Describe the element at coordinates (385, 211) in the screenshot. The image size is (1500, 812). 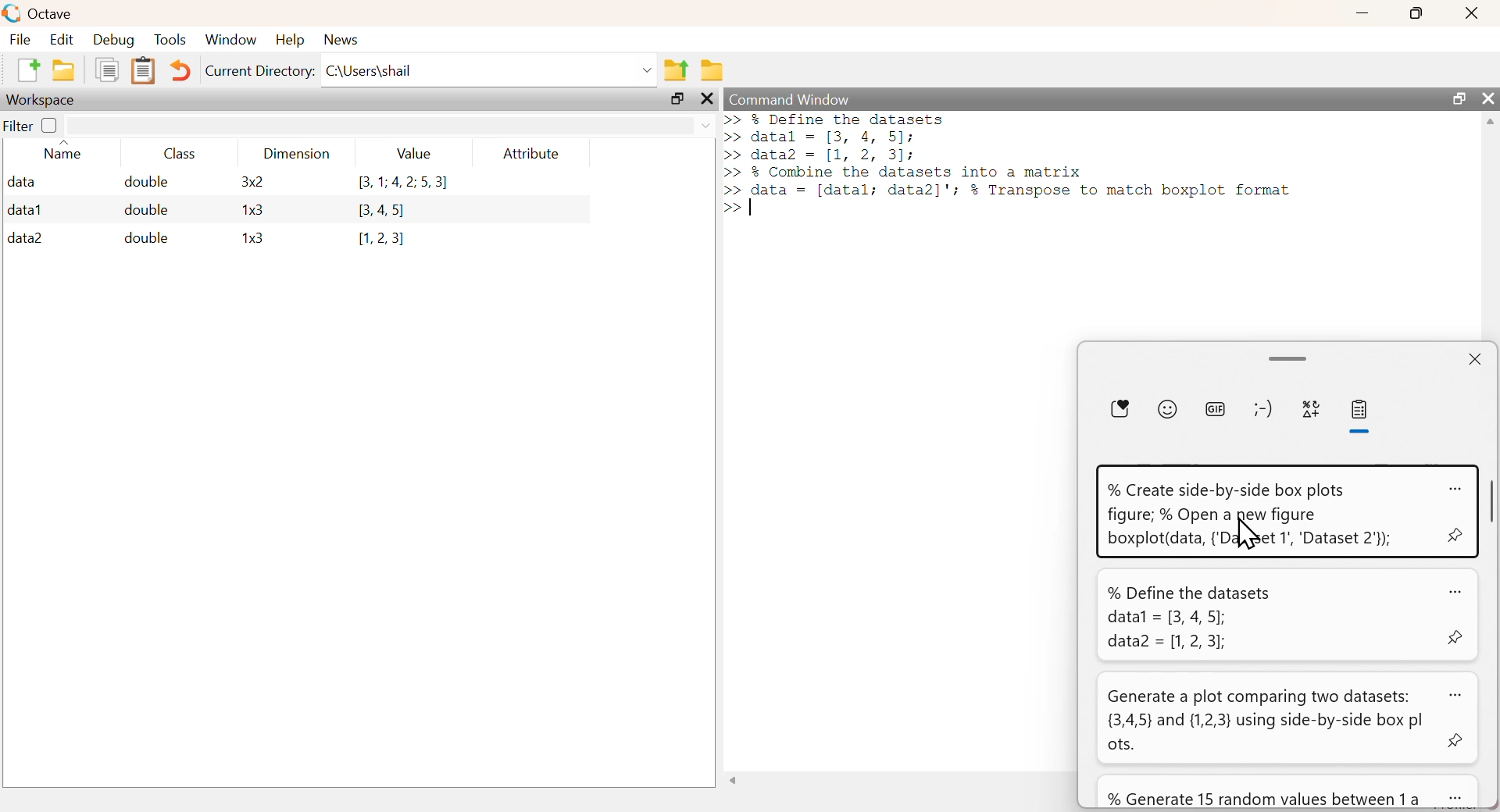
I see `[3, 4, 5]` at that location.